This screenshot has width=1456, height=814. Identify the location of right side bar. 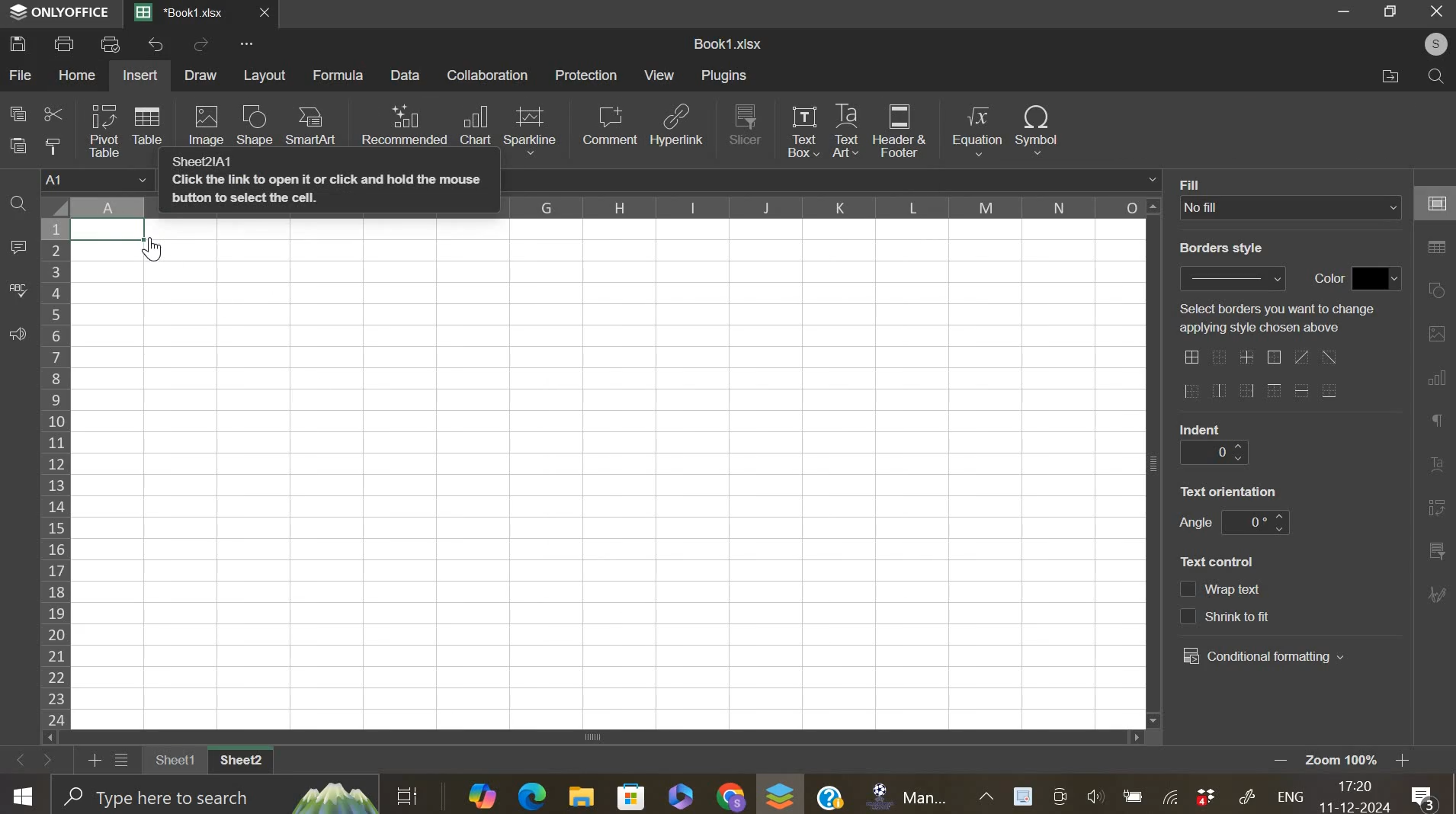
(1433, 390).